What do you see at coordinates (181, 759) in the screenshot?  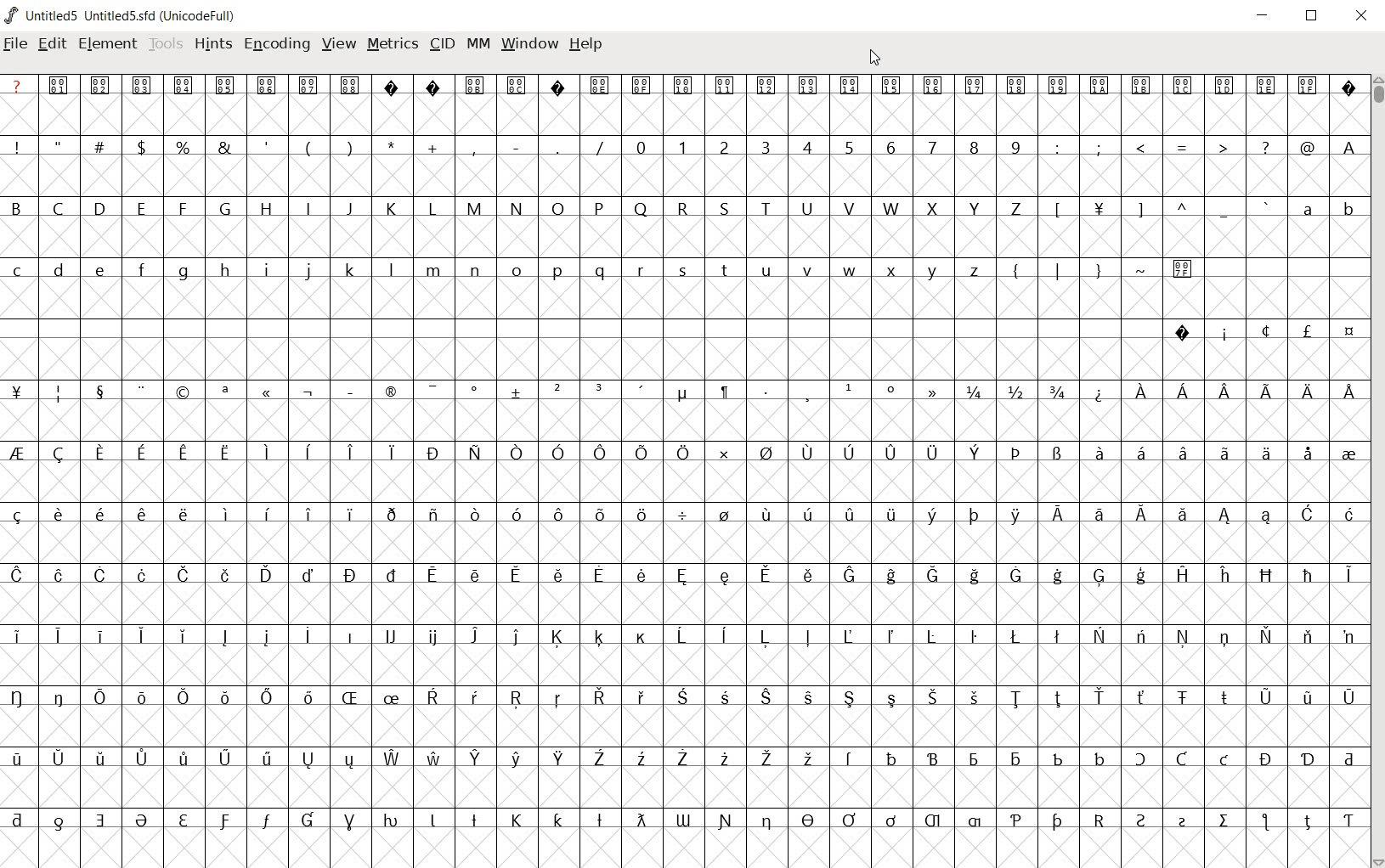 I see `Symbol` at bounding box center [181, 759].